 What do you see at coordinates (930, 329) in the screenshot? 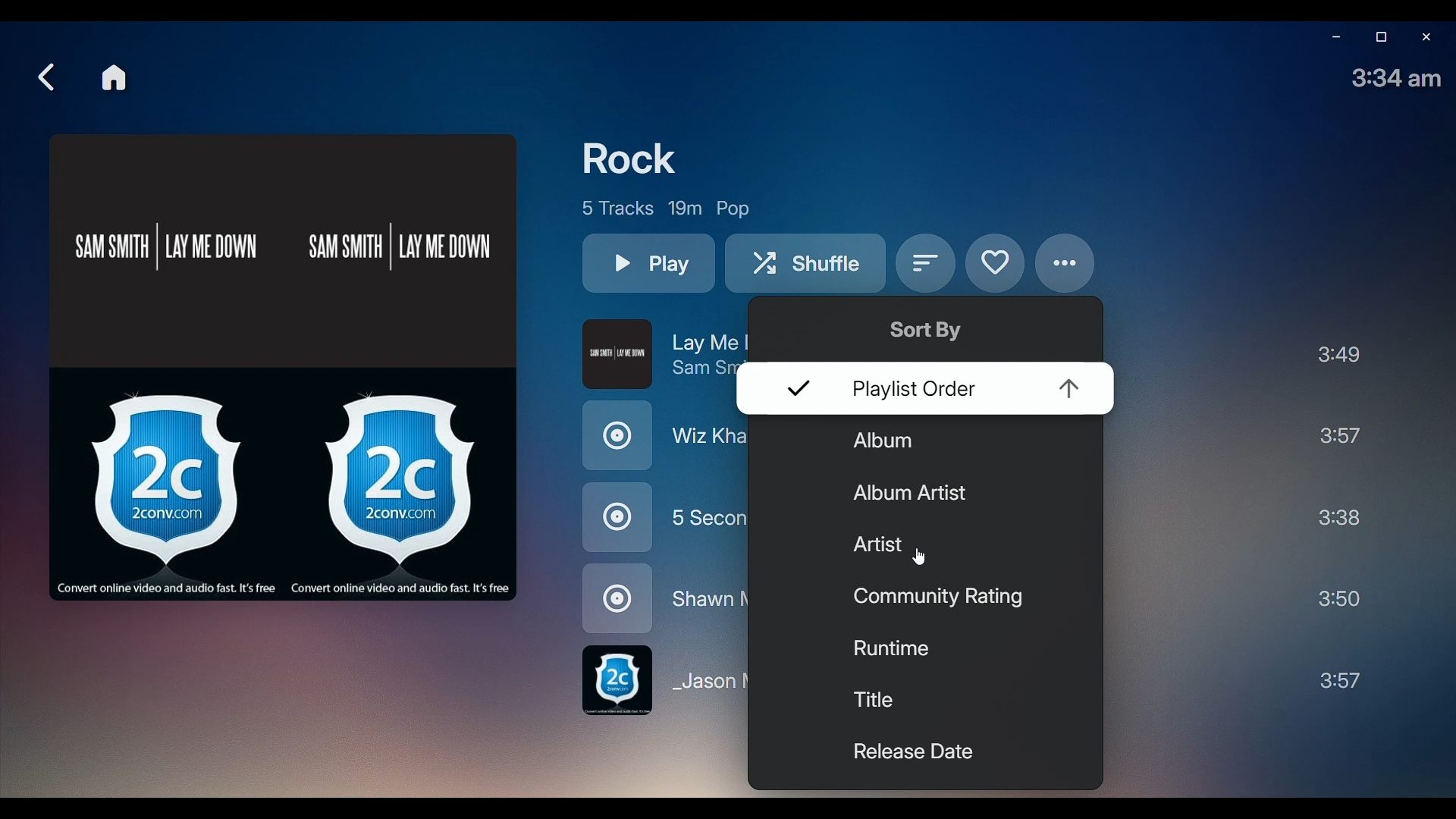
I see `Sort By` at bounding box center [930, 329].